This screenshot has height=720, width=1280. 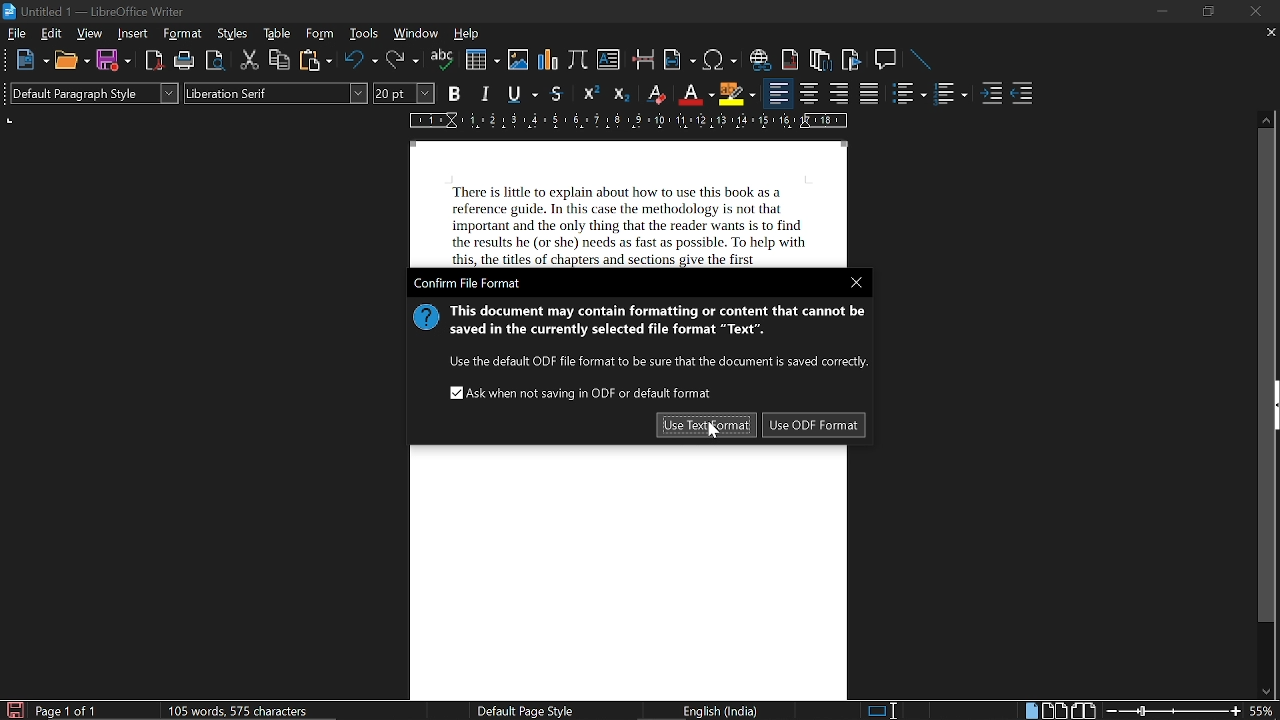 What do you see at coordinates (442, 59) in the screenshot?
I see `spell check` at bounding box center [442, 59].